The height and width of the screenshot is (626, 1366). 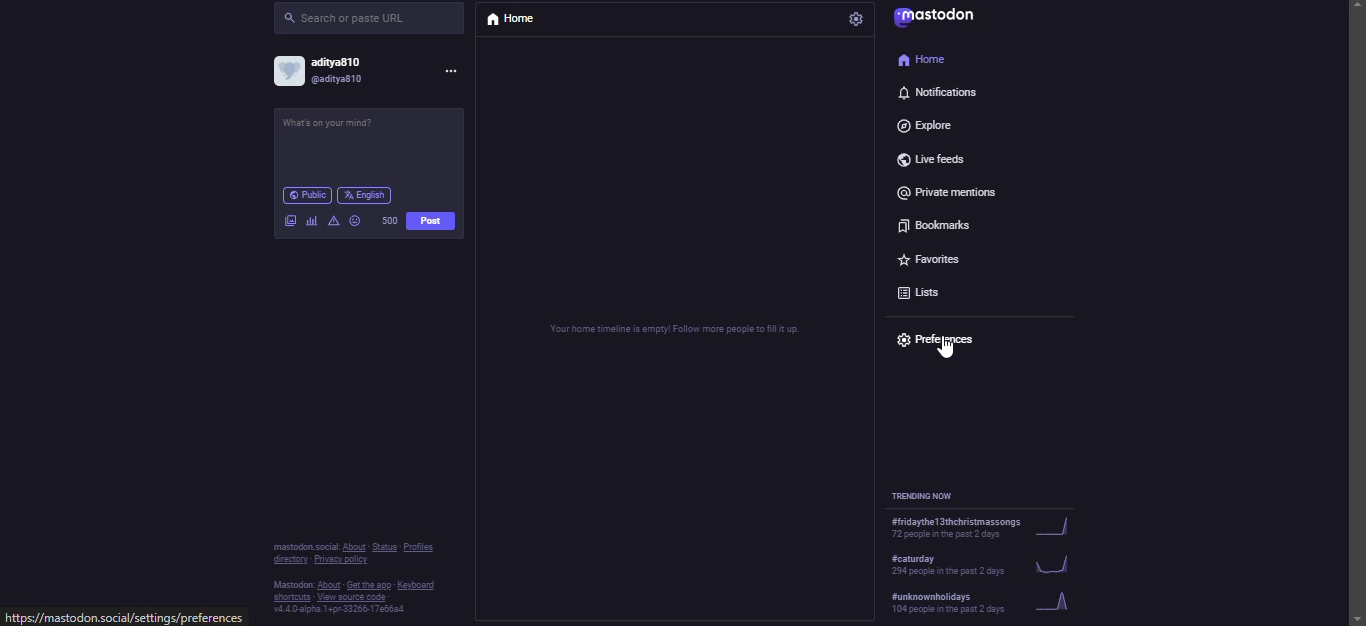 What do you see at coordinates (936, 337) in the screenshot?
I see `preferences` at bounding box center [936, 337].